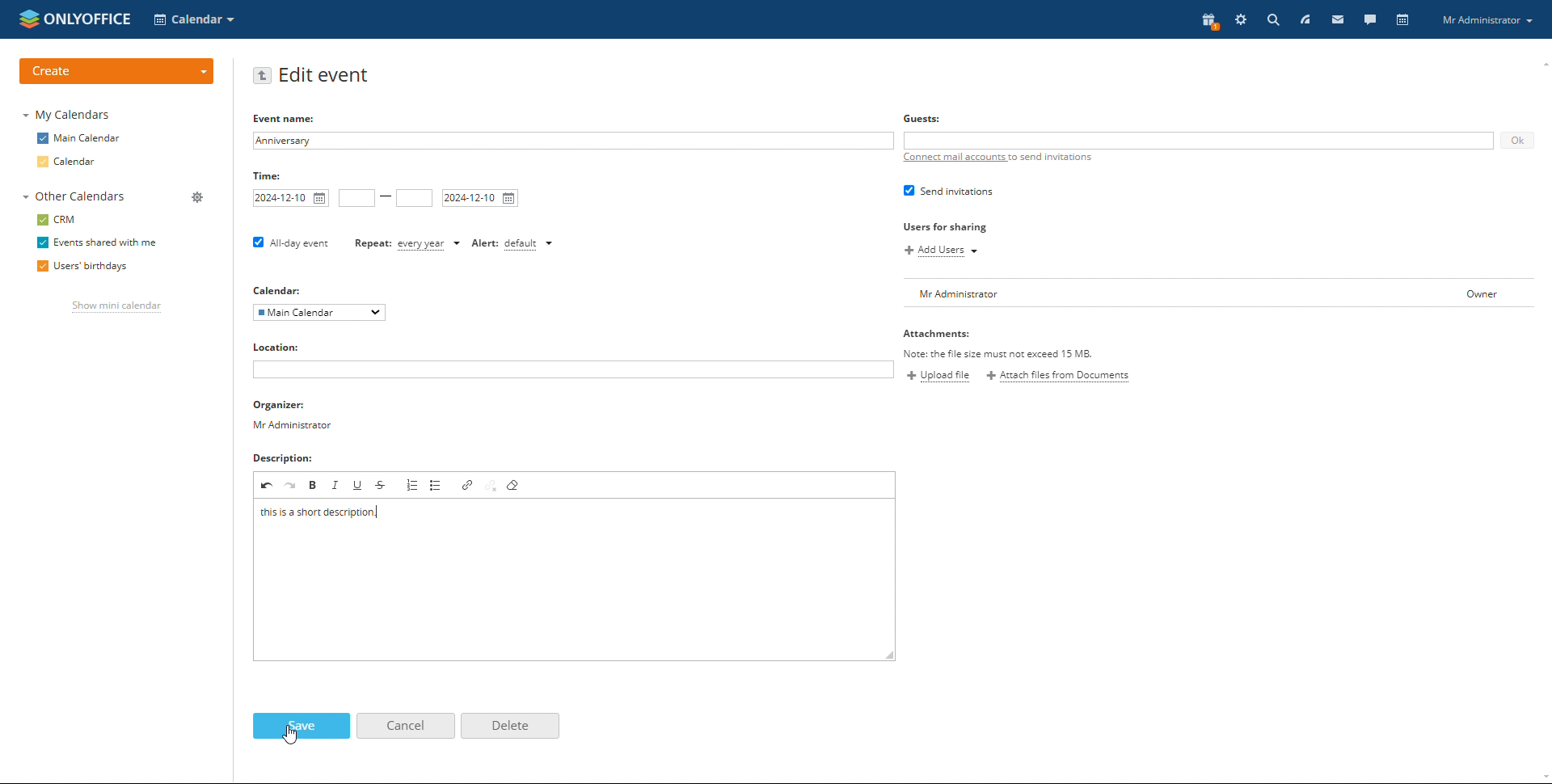 This screenshot has width=1552, height=784. I want to click on link, so click(466, 484).